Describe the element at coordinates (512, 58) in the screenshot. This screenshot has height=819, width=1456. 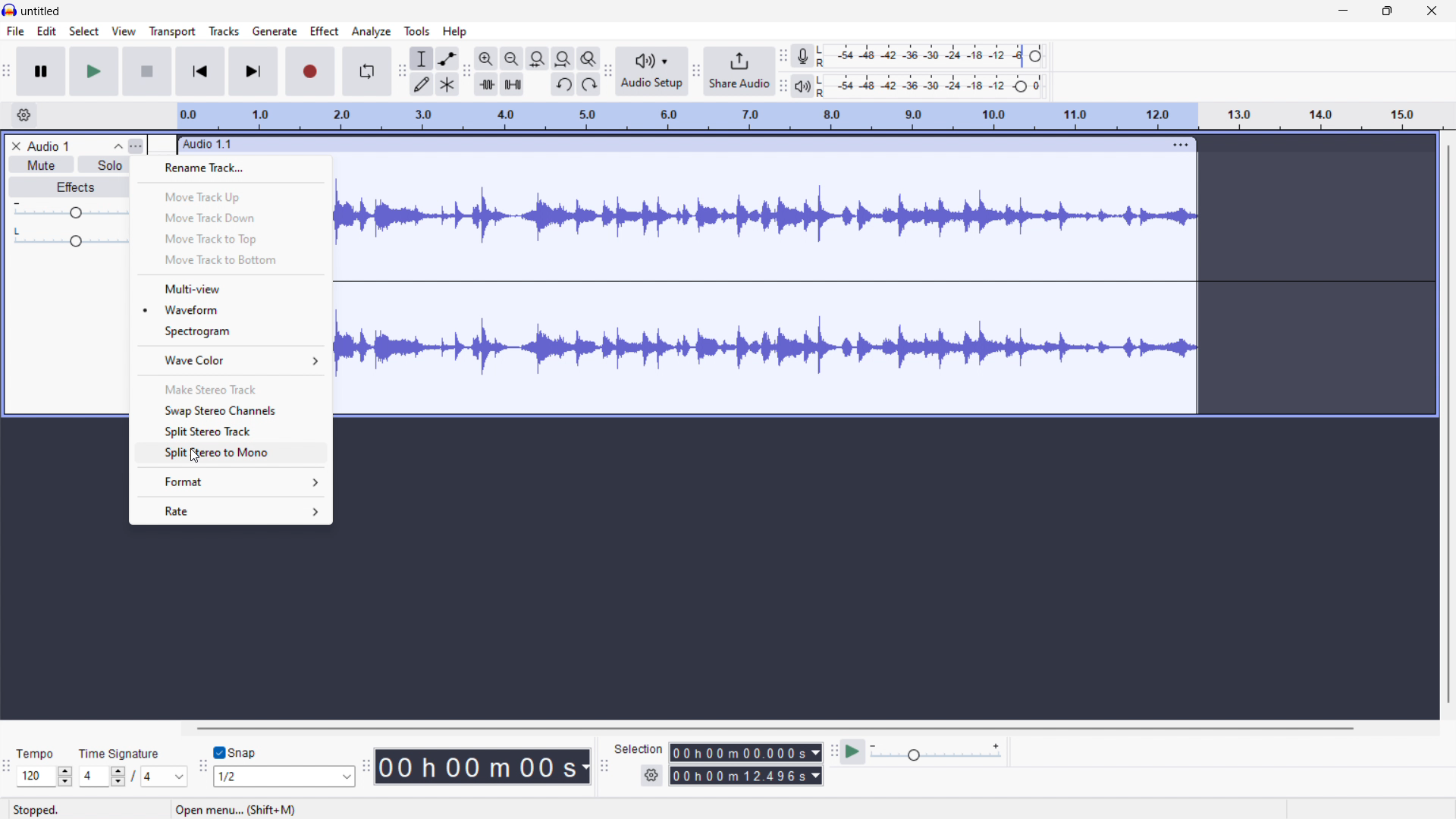
I see `zoom out` at that location.